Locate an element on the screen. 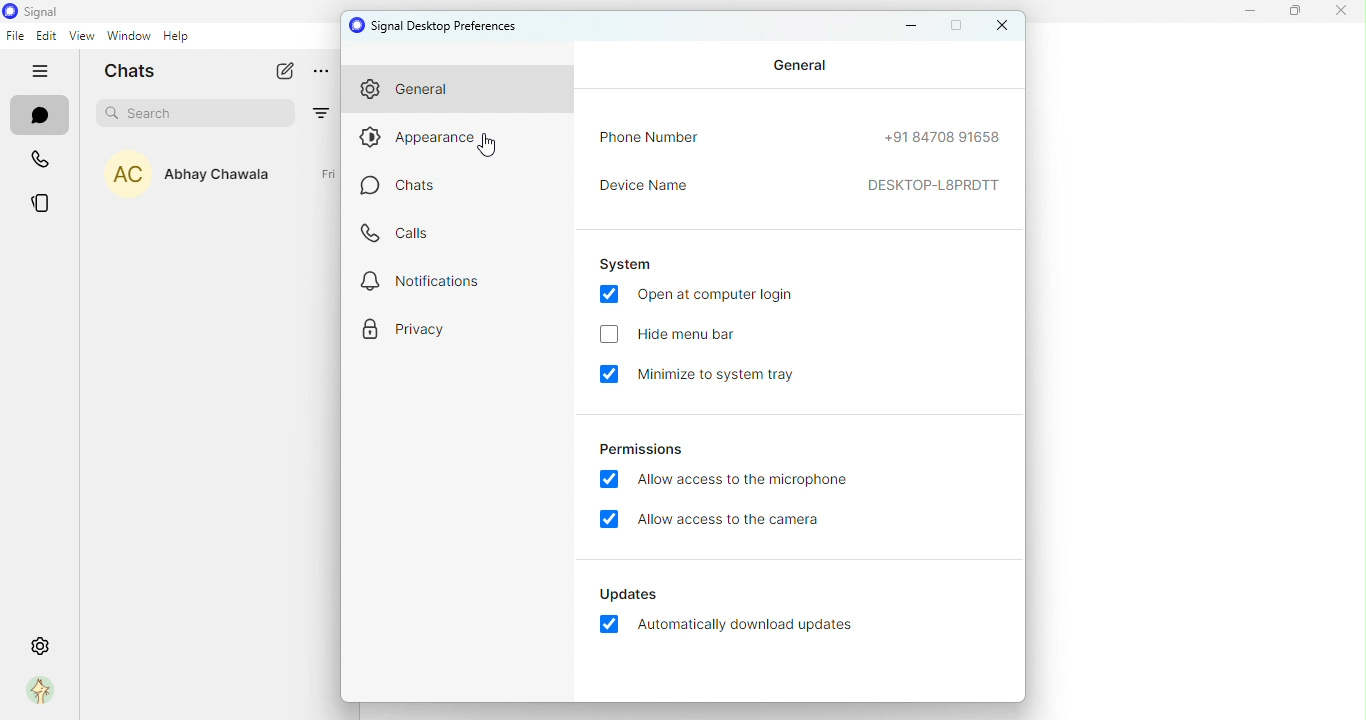 The width and height of the screenshot is (1366, 720). notifications is located at coordinates (430, 286).